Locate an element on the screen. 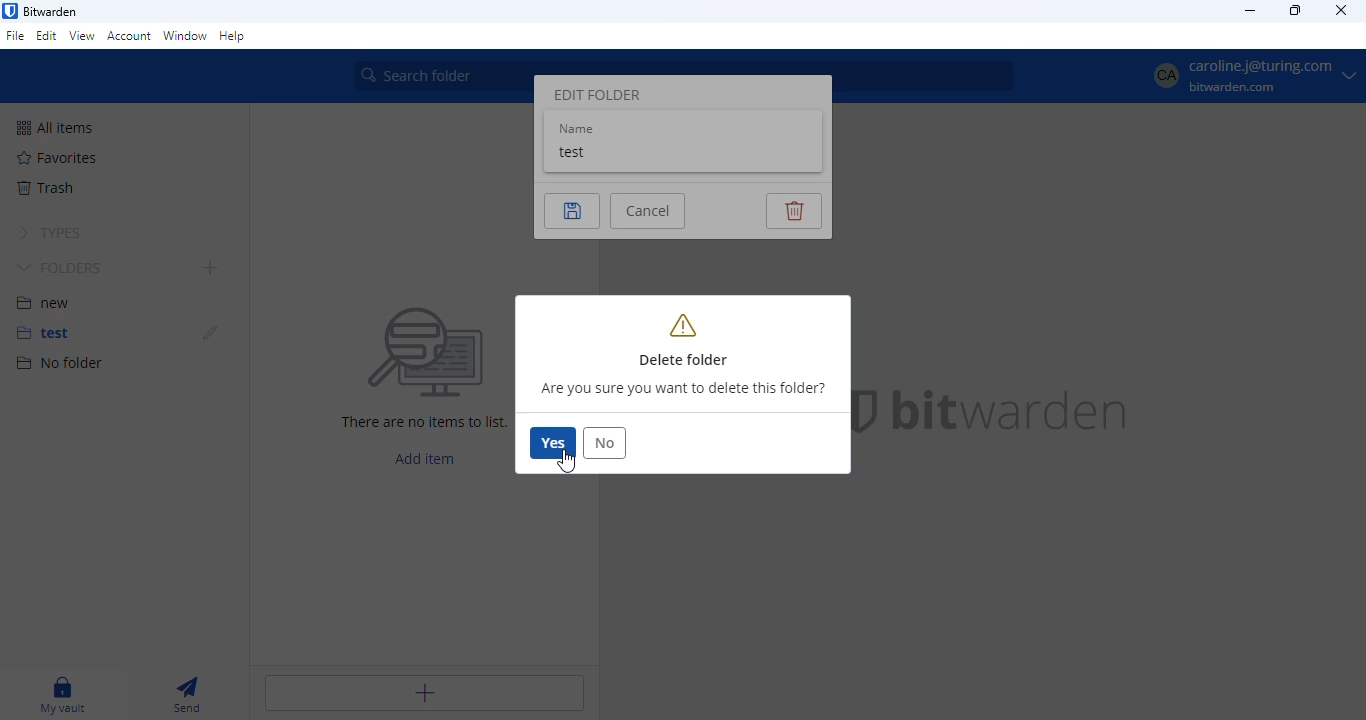 This screenshot has width=1366, height=720. view is located at coordinates (82, 36).